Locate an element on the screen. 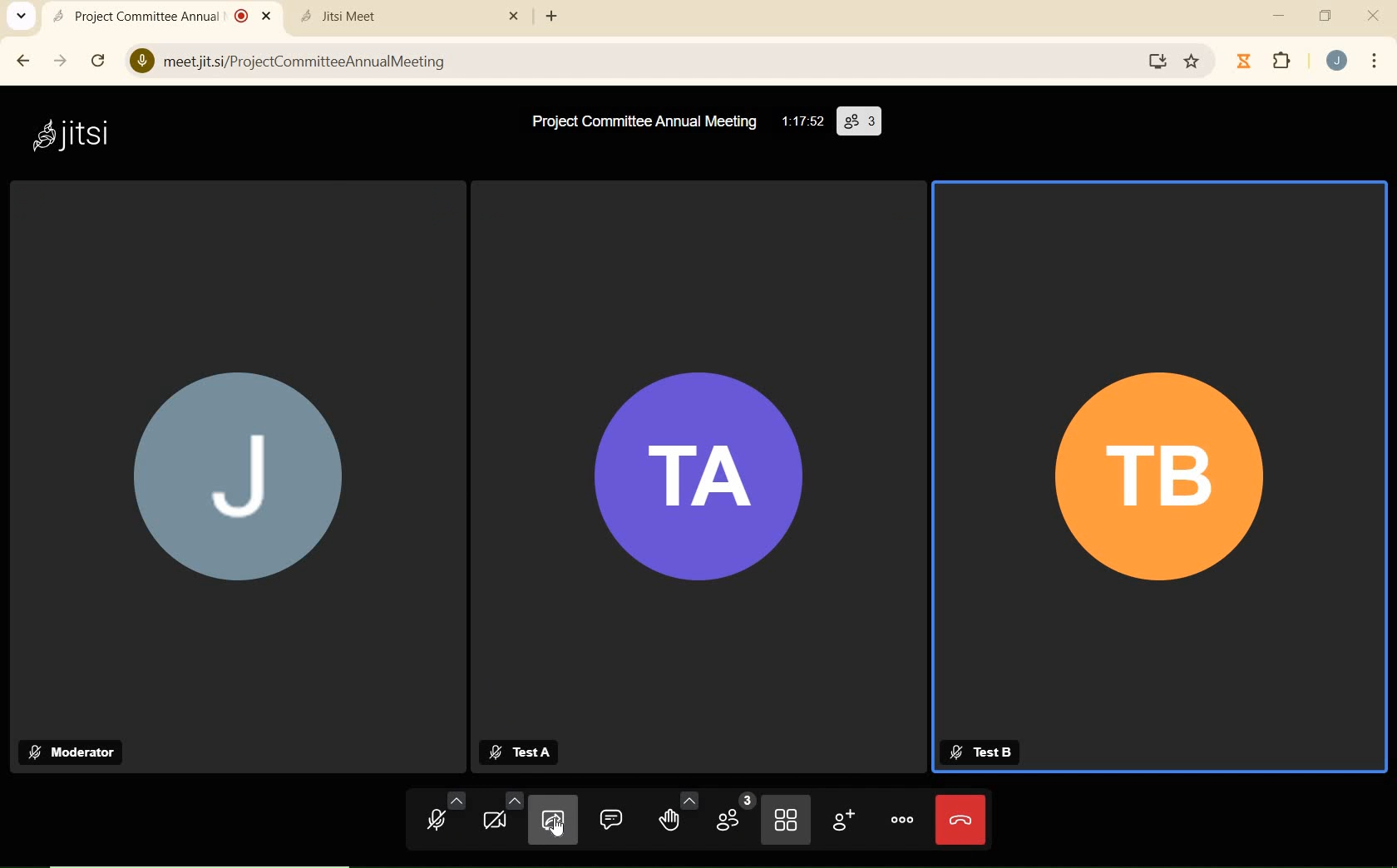 The image size is (1397, 868). invite people is located at coordinates (842, 820).